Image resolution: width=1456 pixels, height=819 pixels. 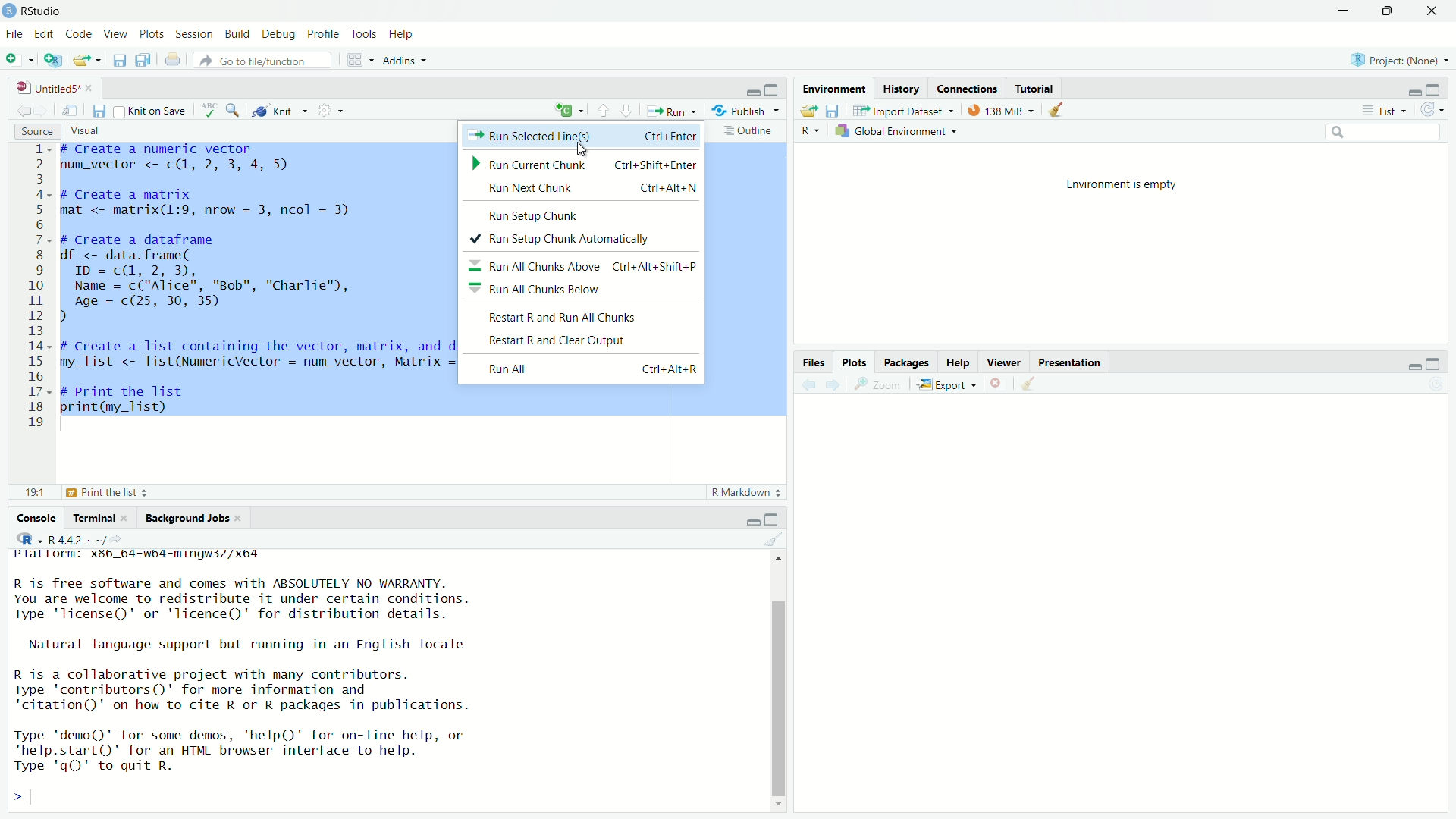 What do you see at coordinates (1412, 91) in the screenshot?
I see `minimise` at bounding box center [1412, 91].